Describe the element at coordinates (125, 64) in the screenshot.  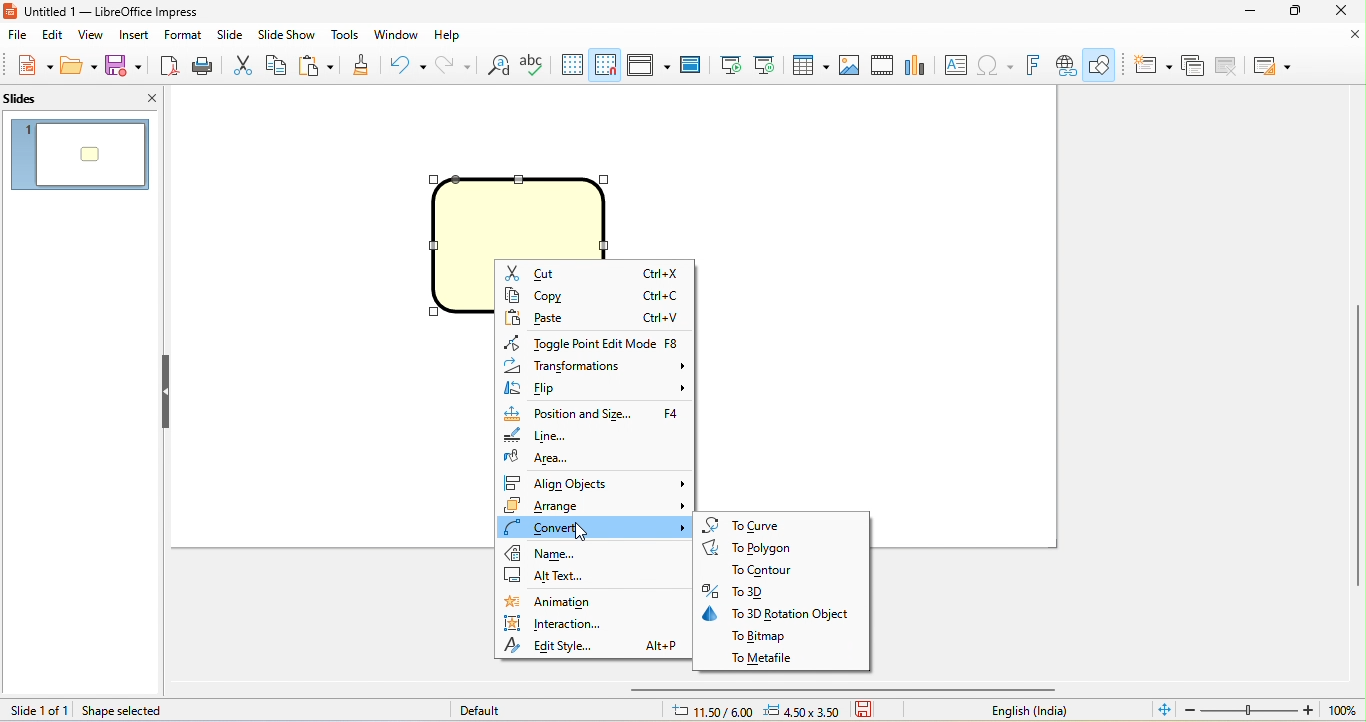
I see `save` at that location.